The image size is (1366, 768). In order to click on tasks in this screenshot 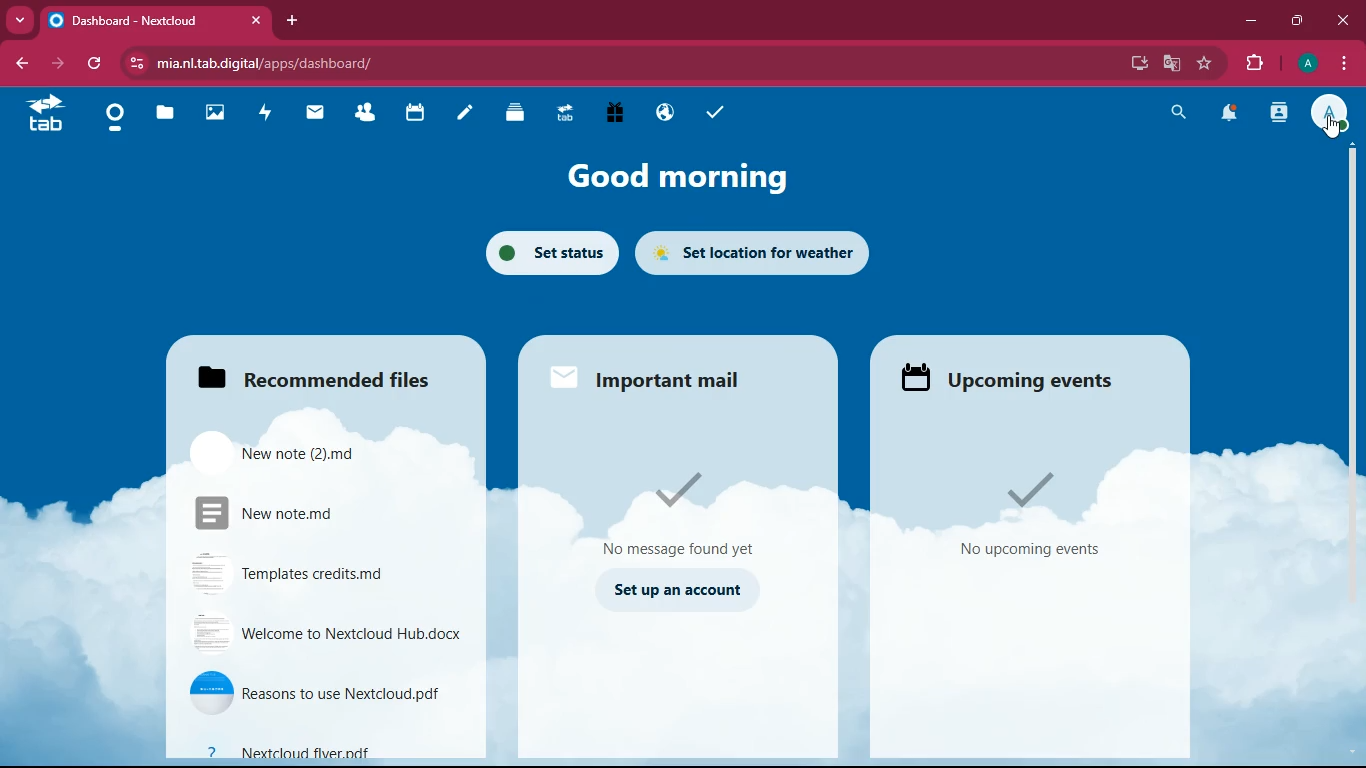, I will do `click(711, 109)`.